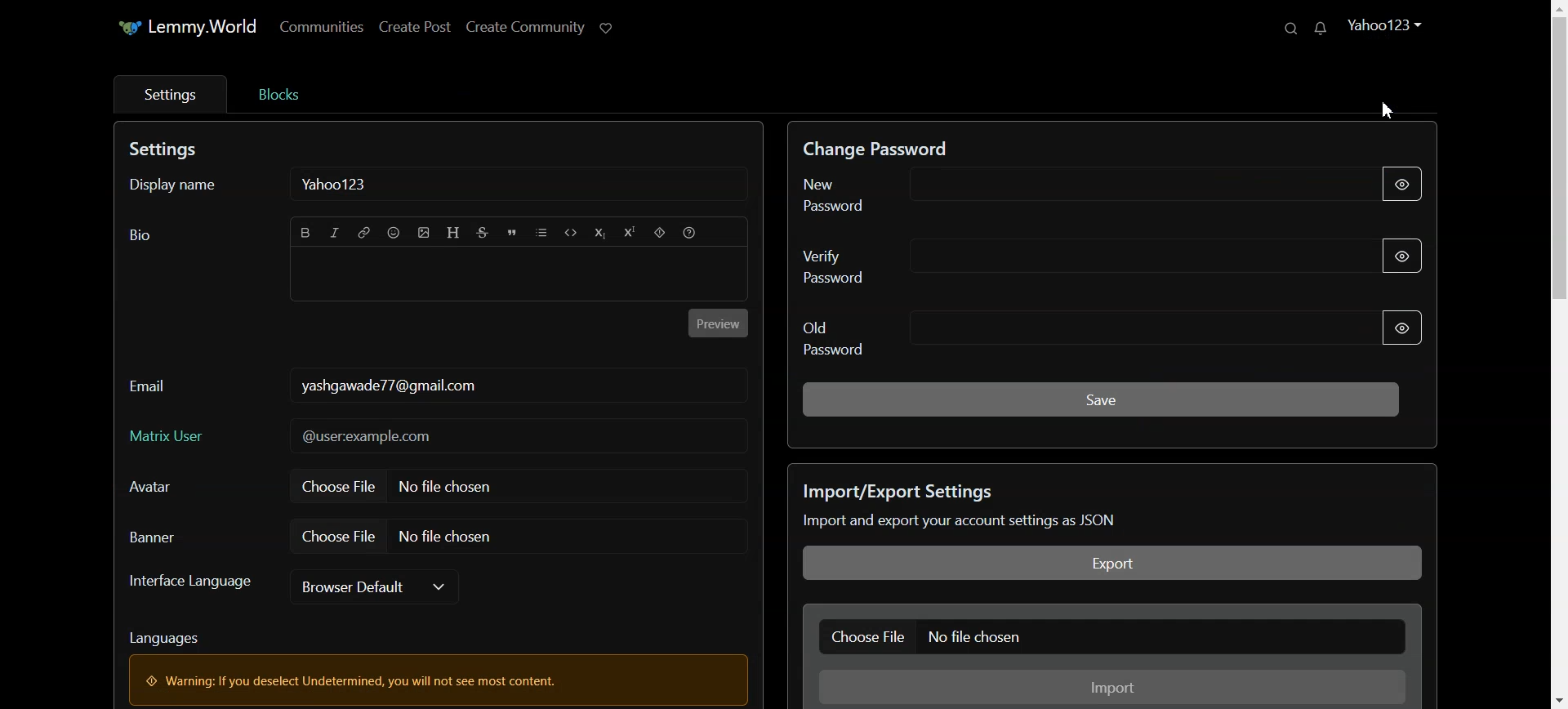 The height and width of the screenshot is (709, 1568). I want to click on Typing window, so click(519, 274).